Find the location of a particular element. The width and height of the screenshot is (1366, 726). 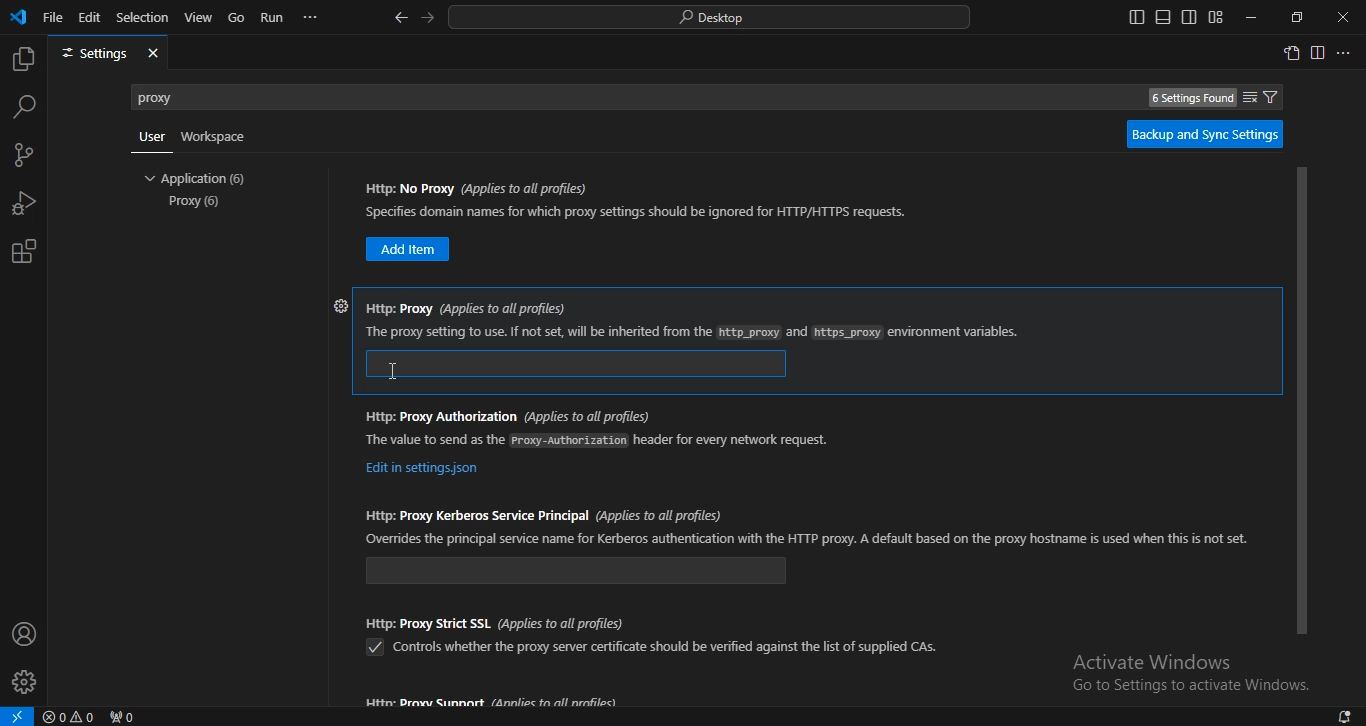

edit is located at coordinates (90, 17).